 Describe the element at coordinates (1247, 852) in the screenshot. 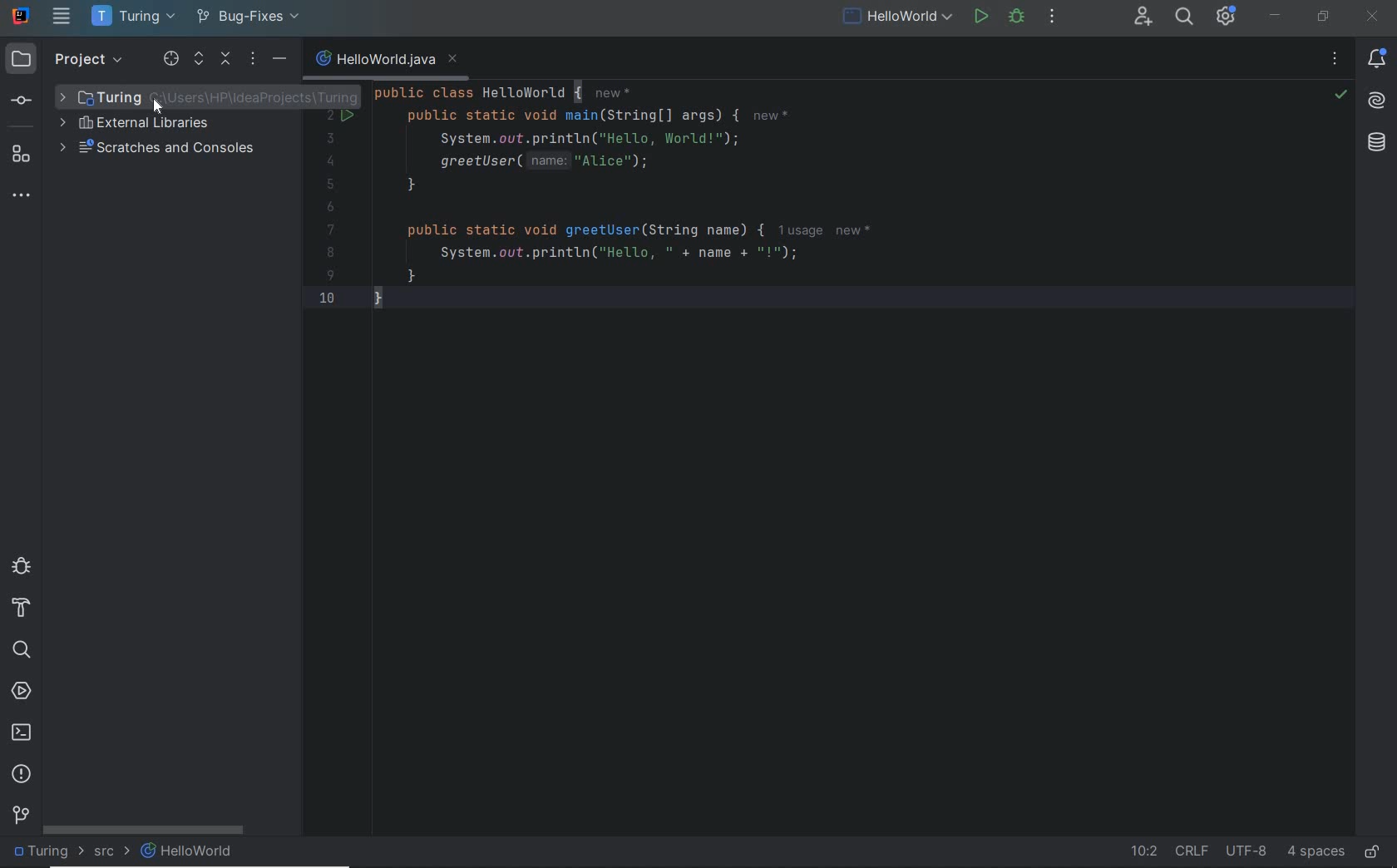

I see `file encoding` at that location.